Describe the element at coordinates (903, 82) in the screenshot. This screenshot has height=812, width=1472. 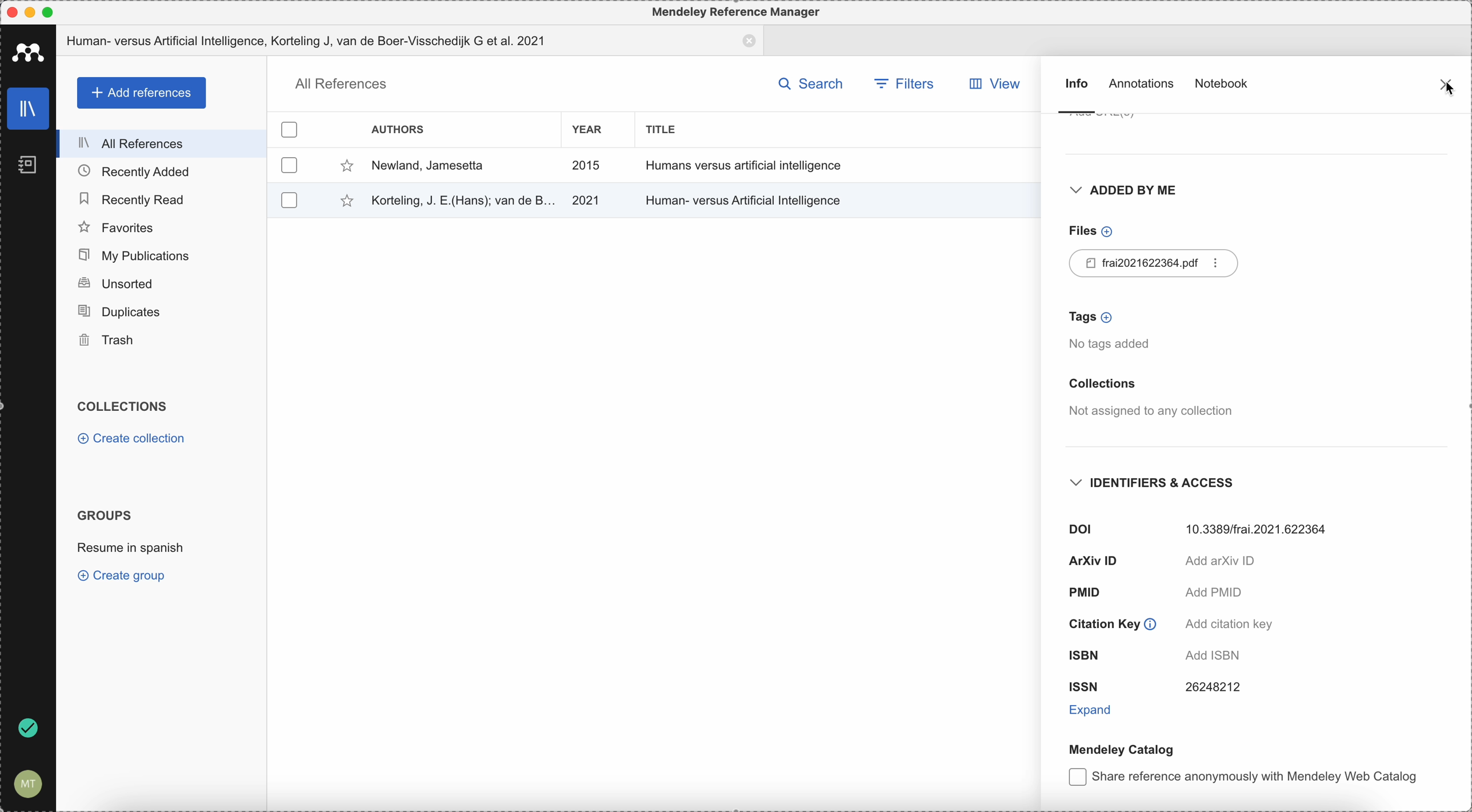
I see `filters` at that location.